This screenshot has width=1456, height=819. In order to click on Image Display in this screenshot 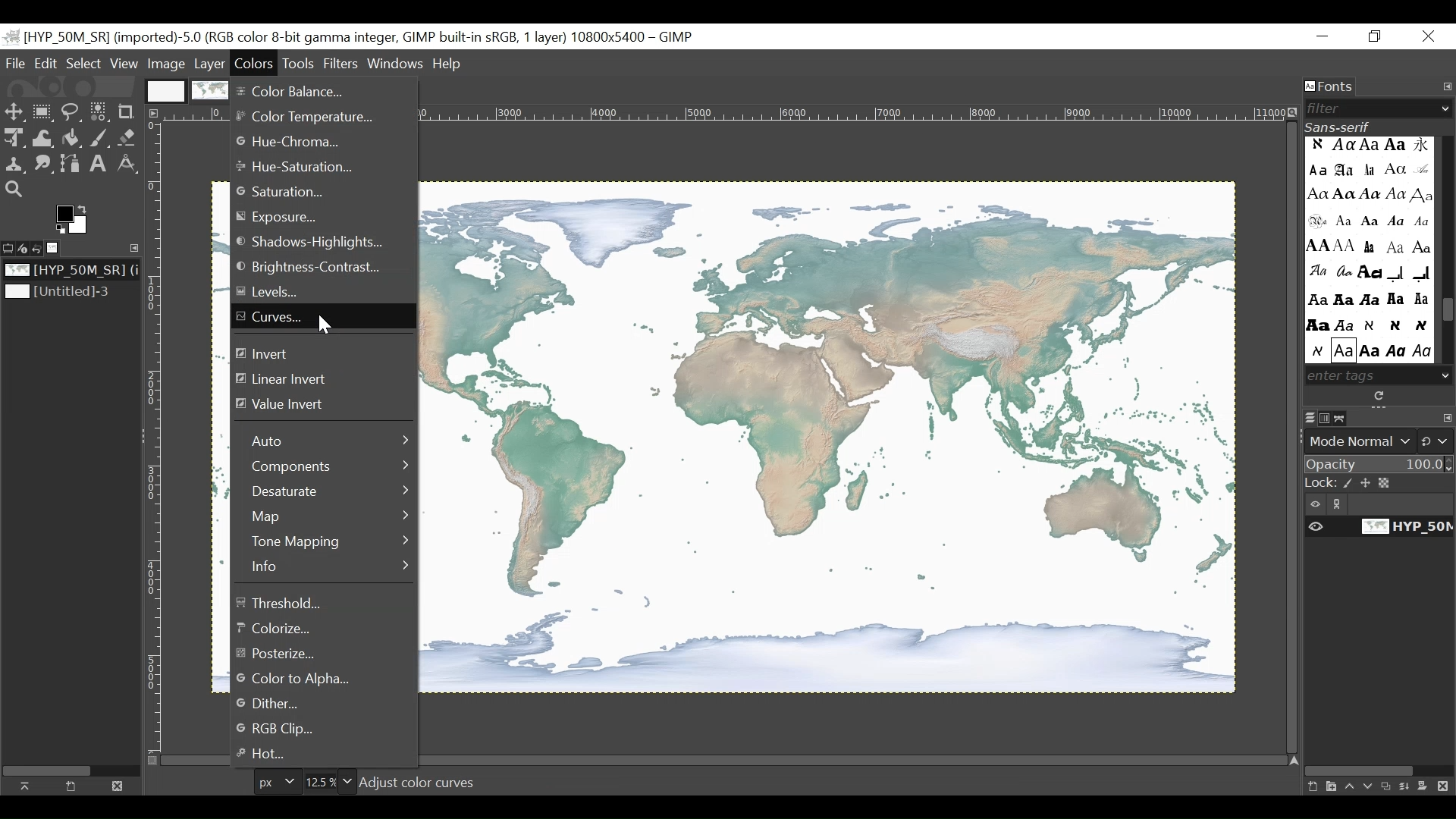, I will do `click(189, 90)`.